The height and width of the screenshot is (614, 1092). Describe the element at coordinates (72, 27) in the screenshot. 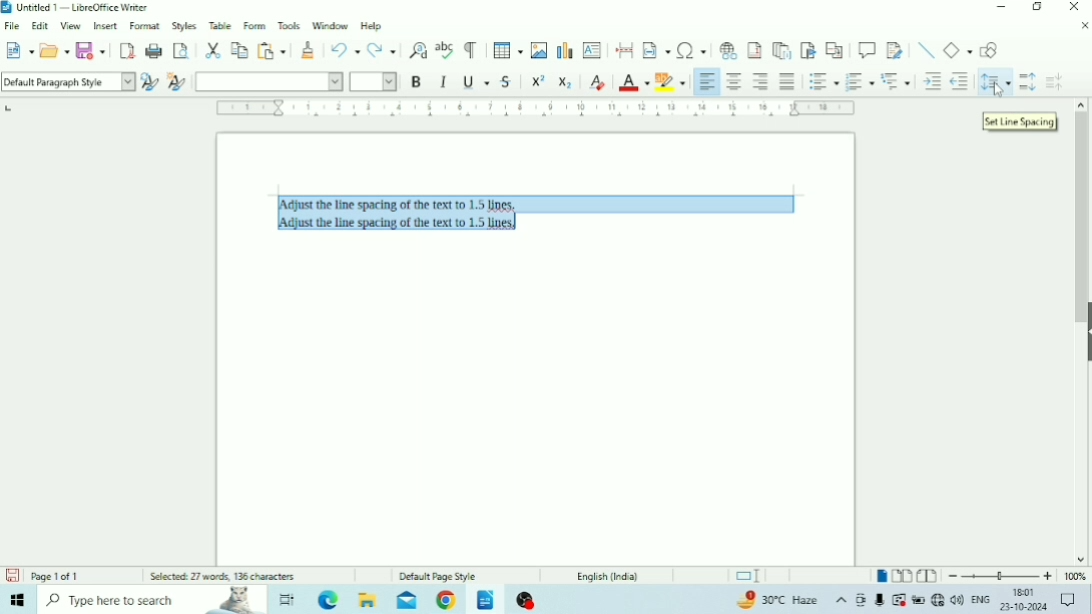

I see `View` at that location.